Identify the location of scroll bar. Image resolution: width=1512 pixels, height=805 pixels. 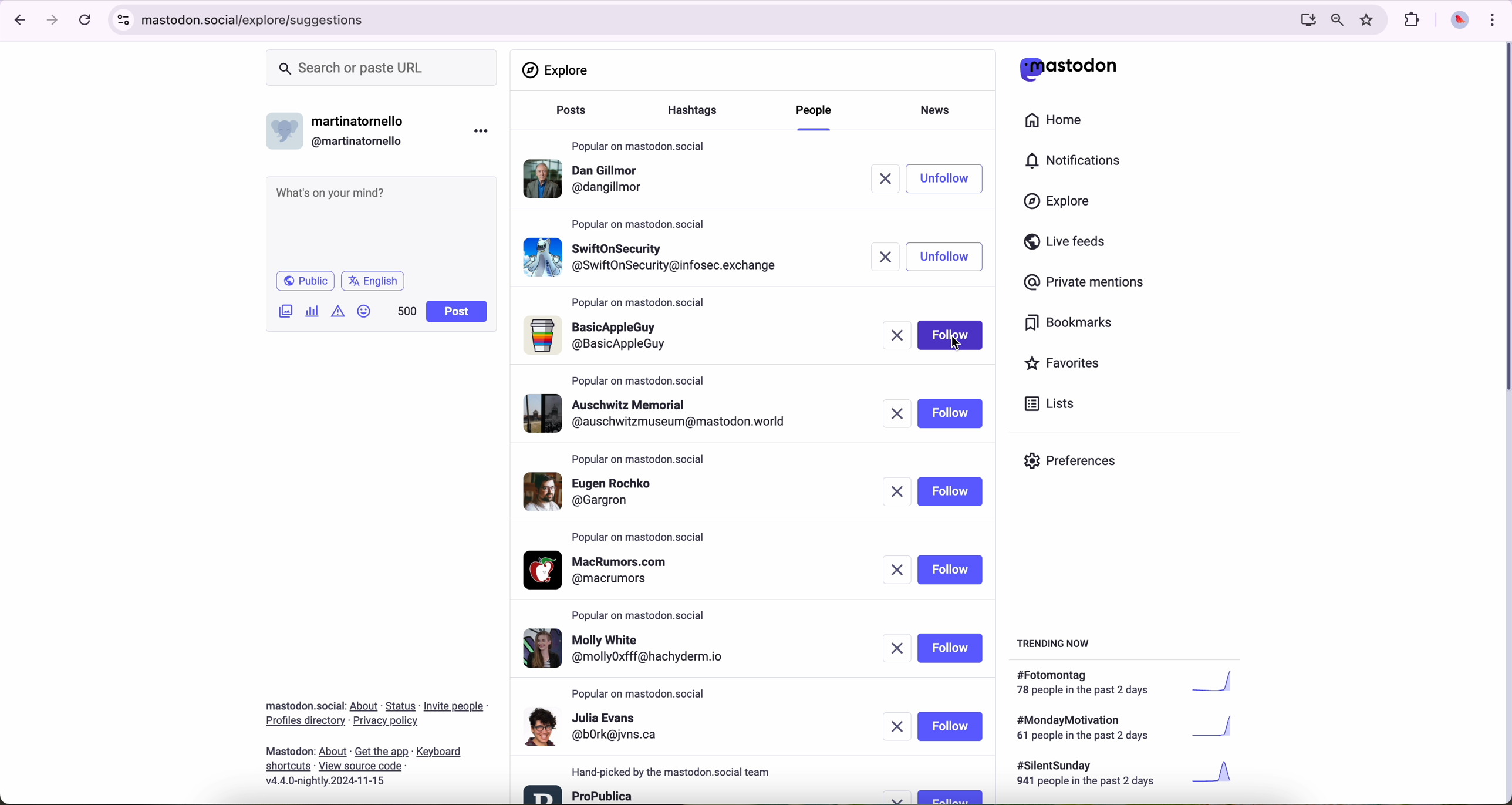
(1503, 220).